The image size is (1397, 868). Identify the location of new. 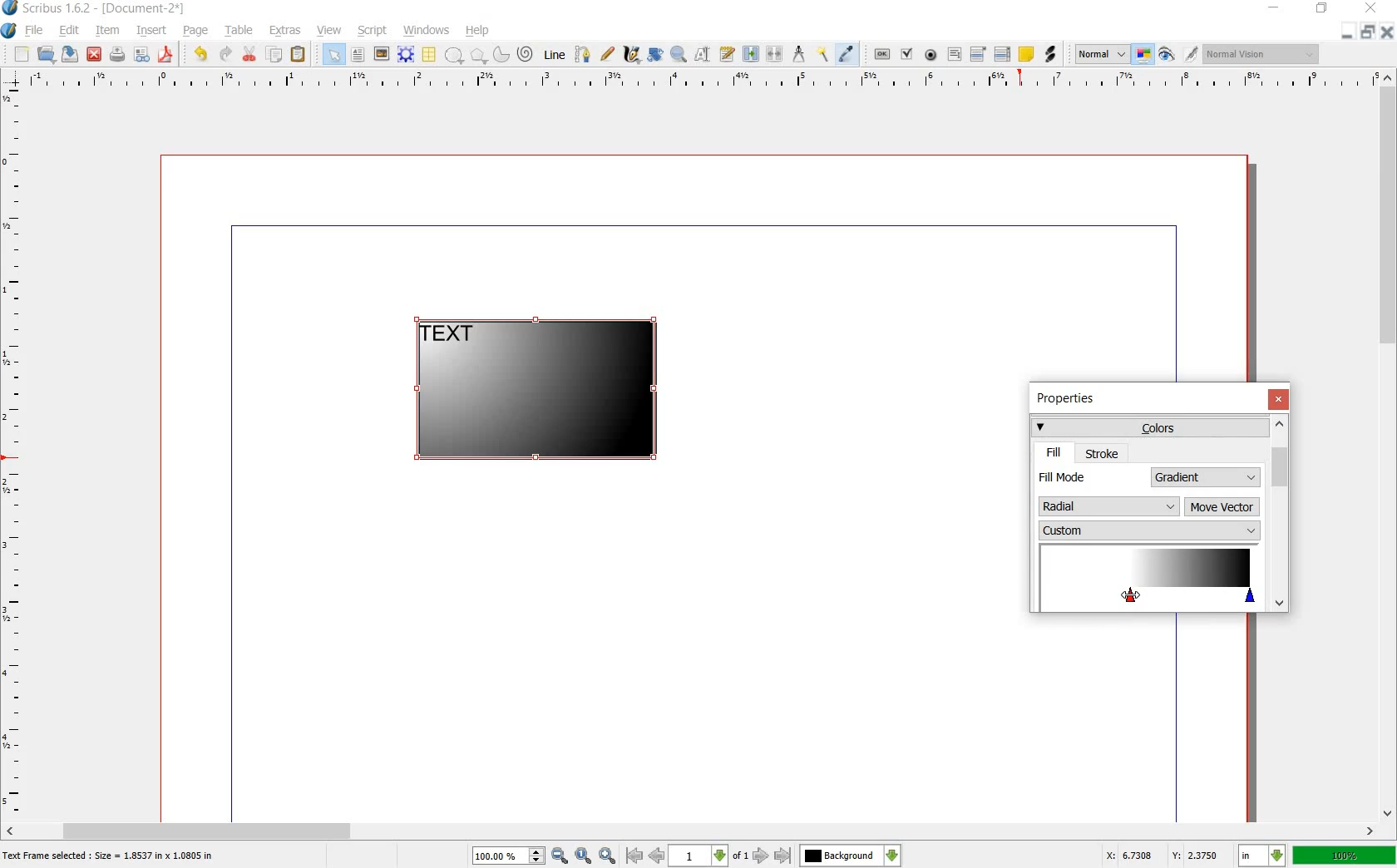
(22, 55).